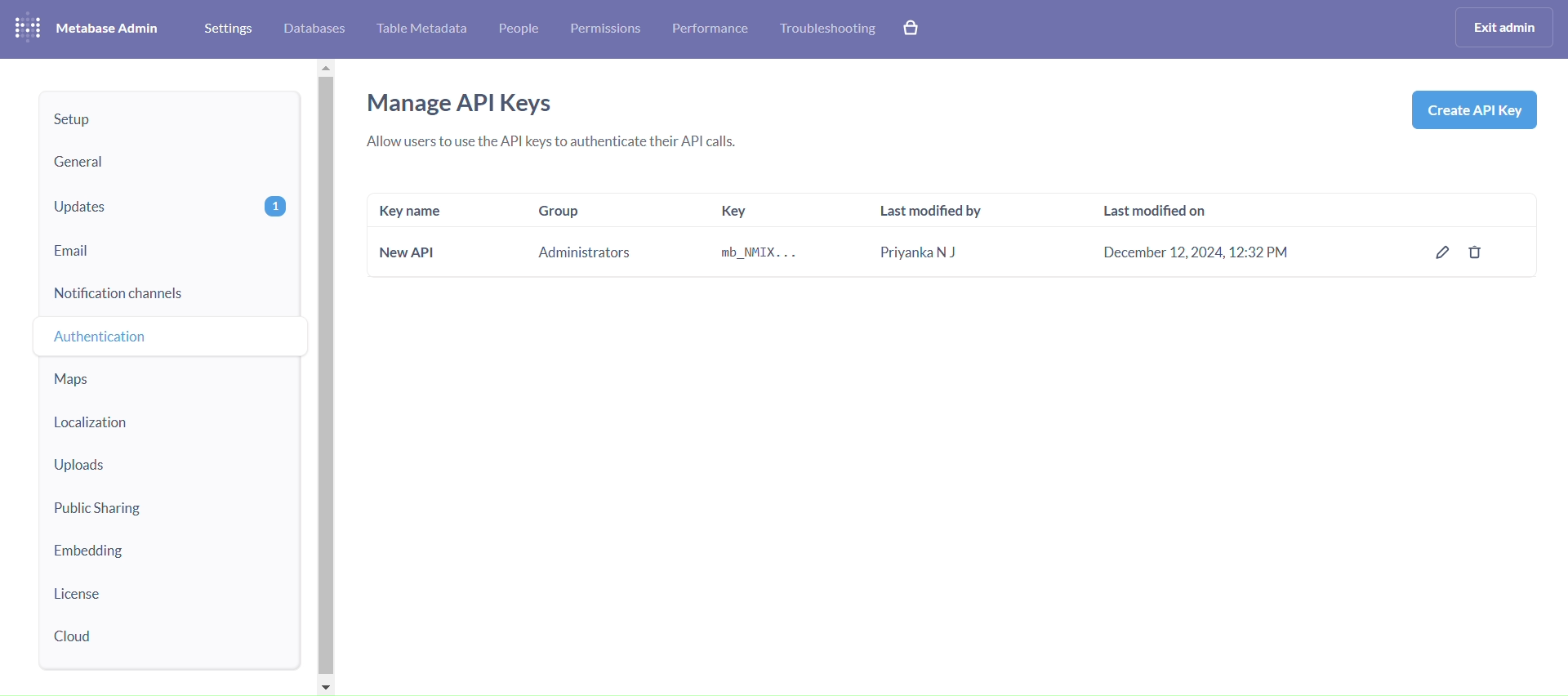 This screenshot has height=696, width=1568. I want to click on uploads, so click(170, 468).